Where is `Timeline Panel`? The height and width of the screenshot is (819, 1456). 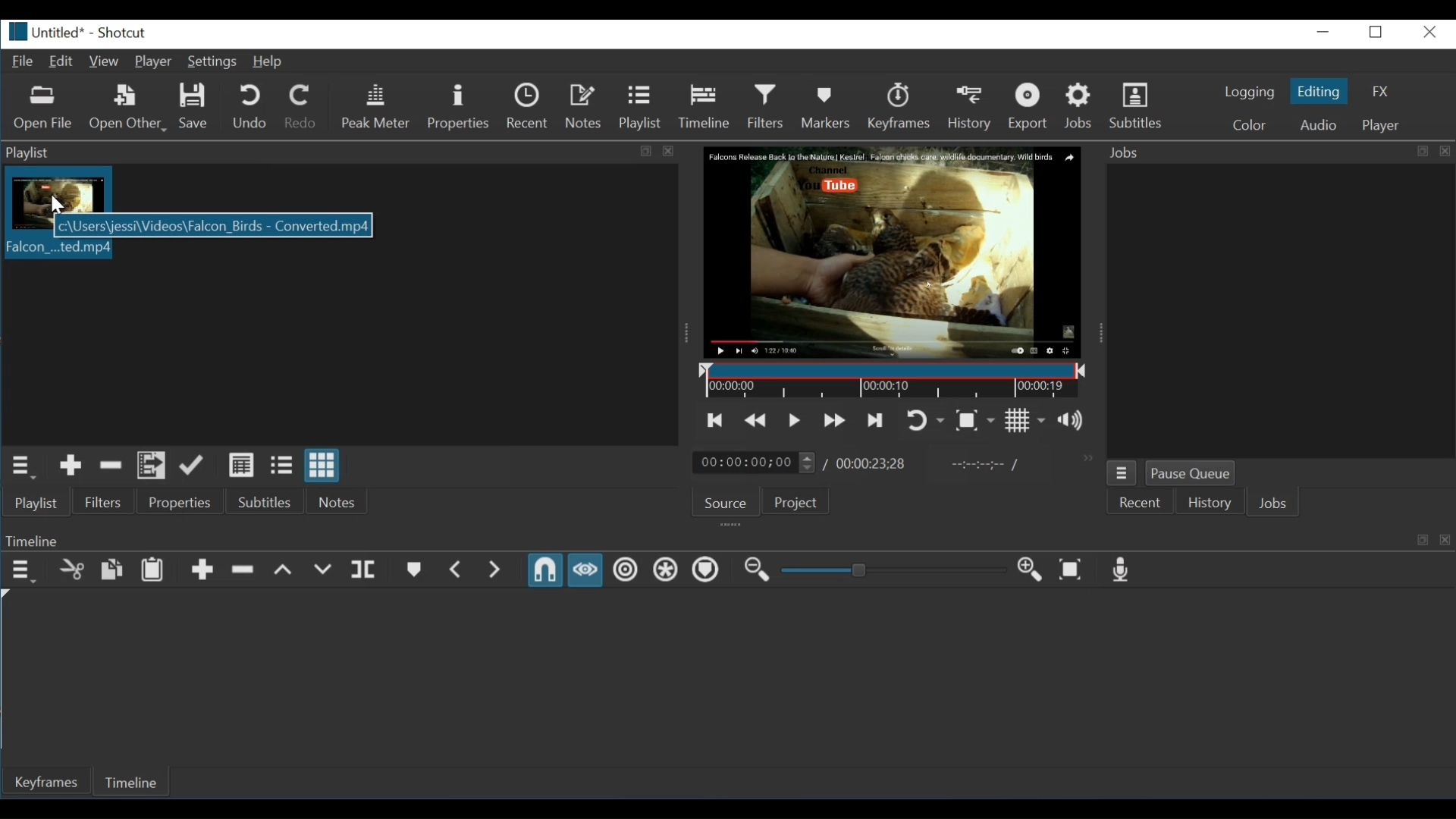 Timeline Panel is located at coordinates (727, 540).